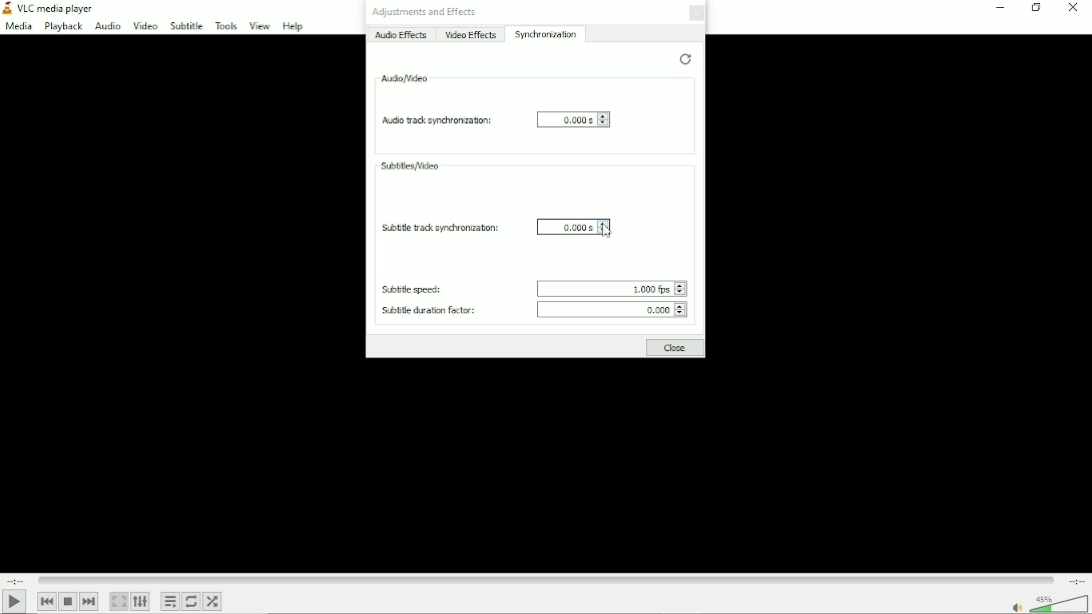  What do you see at coordinates (426, 13) in the screenshot?
I see `Adjustments and effects` at bounding box center [426, 13].